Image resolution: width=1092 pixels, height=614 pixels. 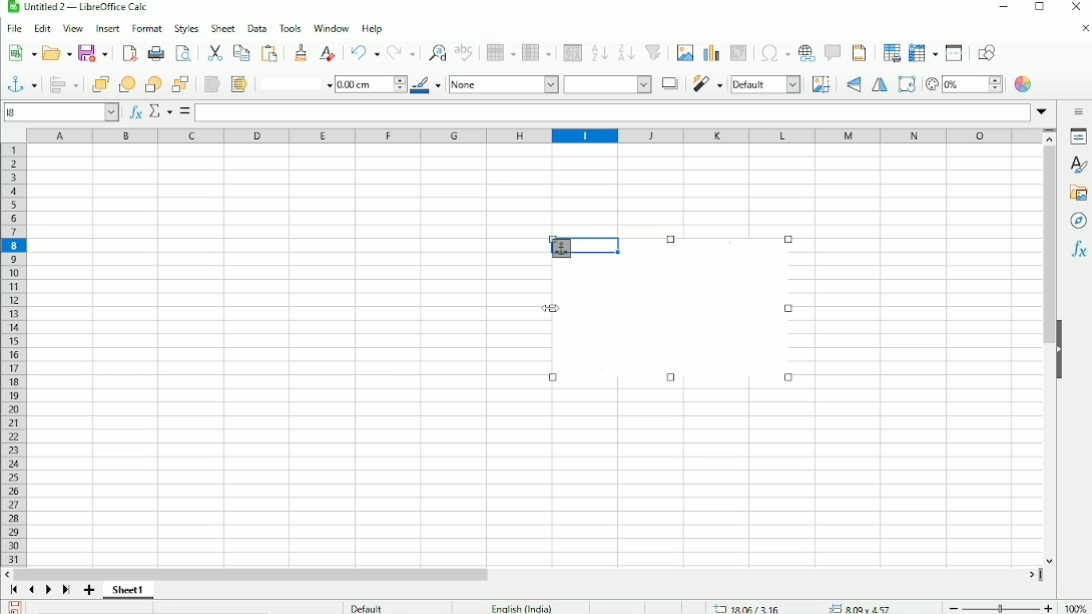 What do you see at coordinates (256, 28) in the screenshot?
I see `Data` at bounding box center [256, 28].